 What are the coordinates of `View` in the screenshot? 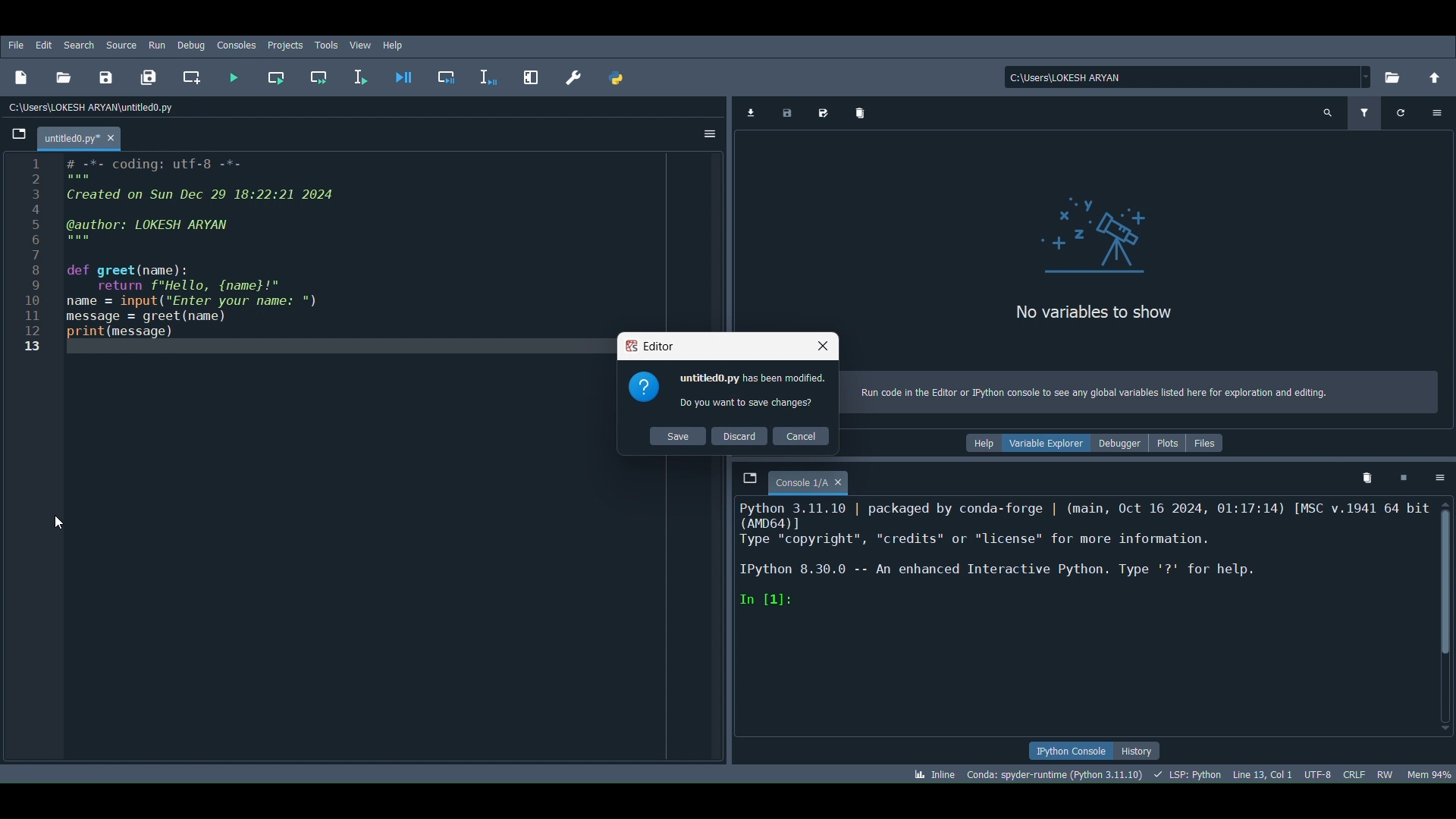 It's located at (365, 42).